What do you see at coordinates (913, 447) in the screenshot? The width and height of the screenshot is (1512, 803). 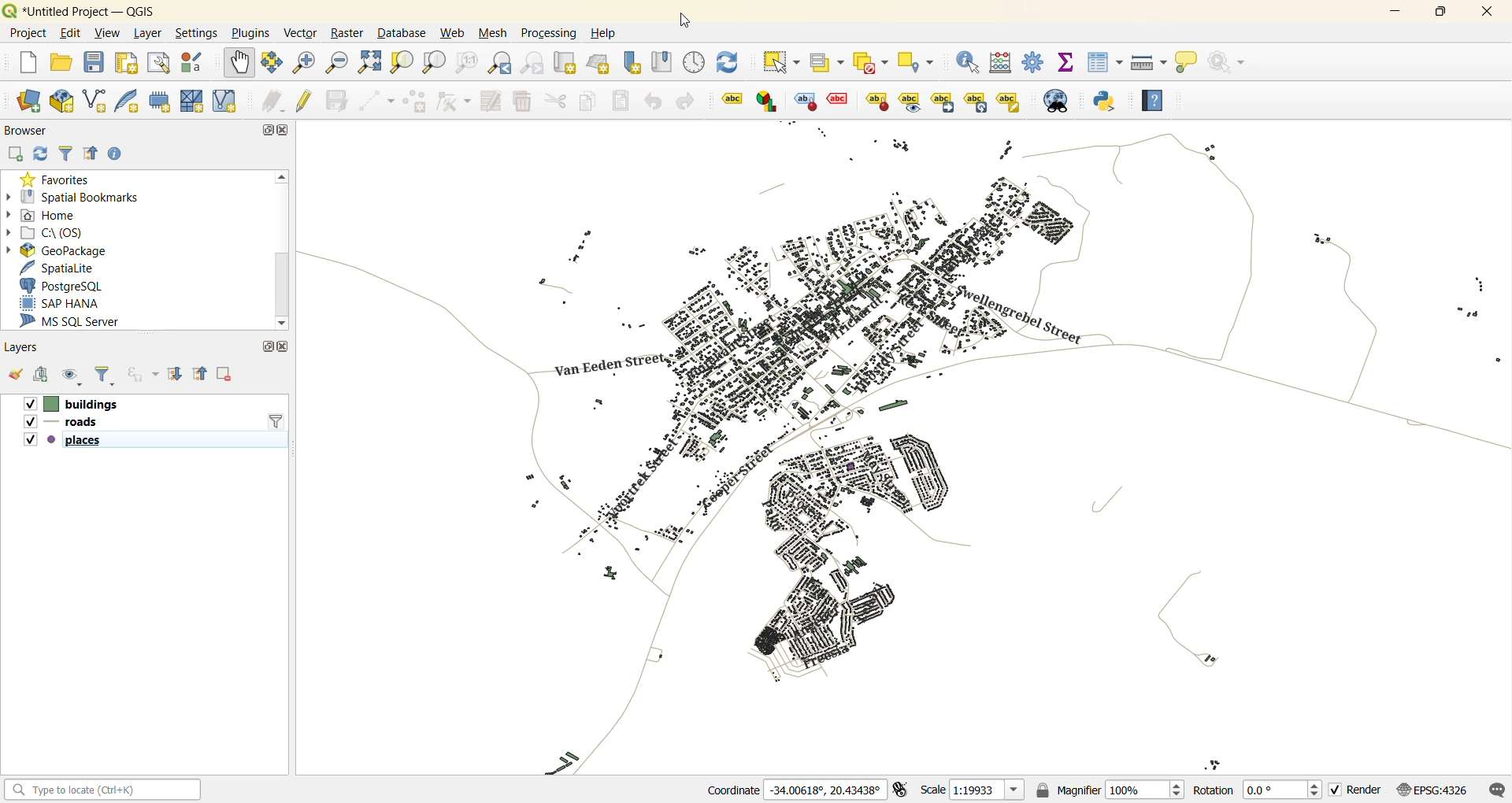 I see `map` at bounding box center [913, 447].